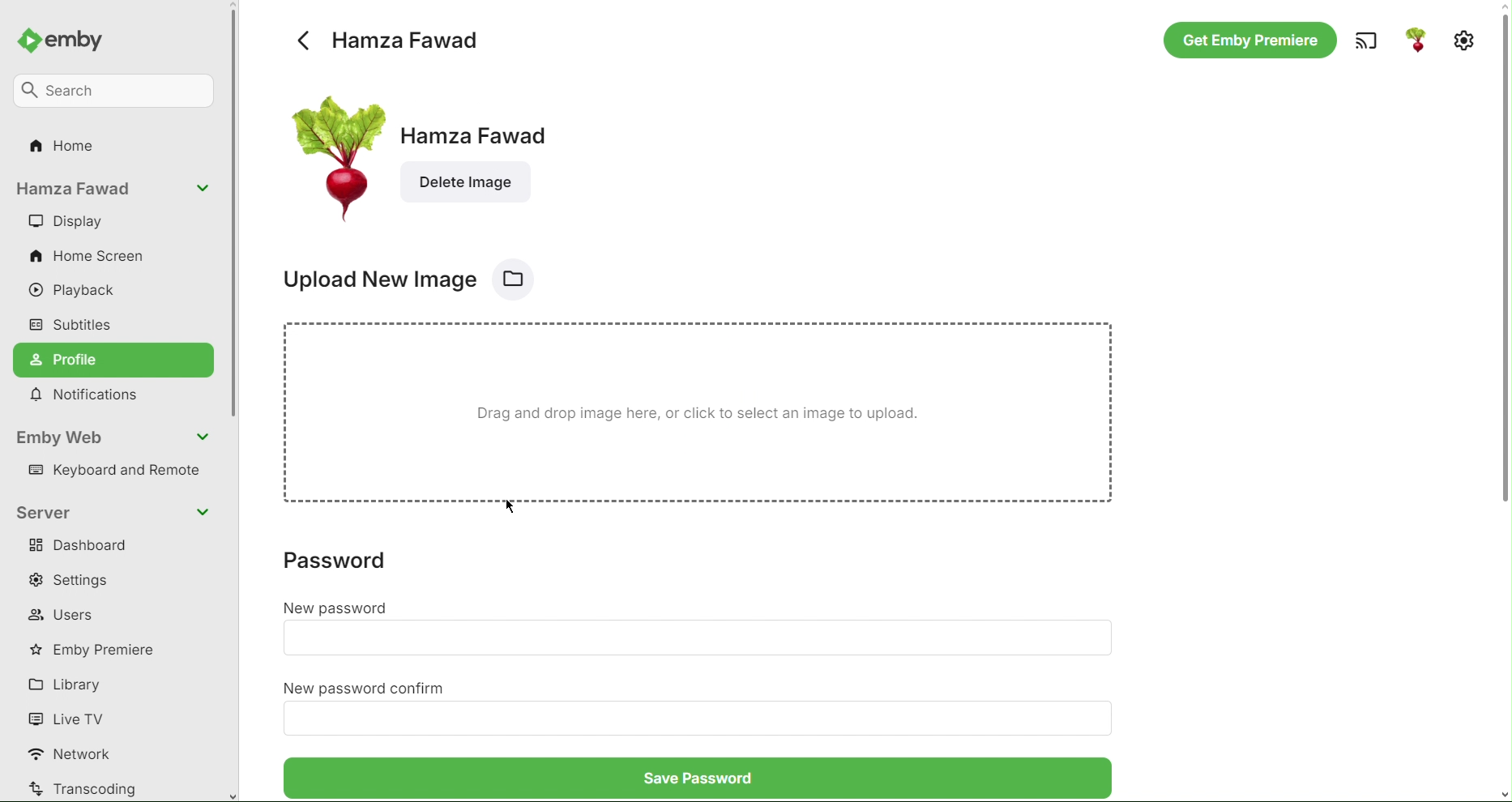 The image size is (1512, 802). Describe the element at coordinates (703, 720) in the screenshot. I see `New Password Confirm` at that location.